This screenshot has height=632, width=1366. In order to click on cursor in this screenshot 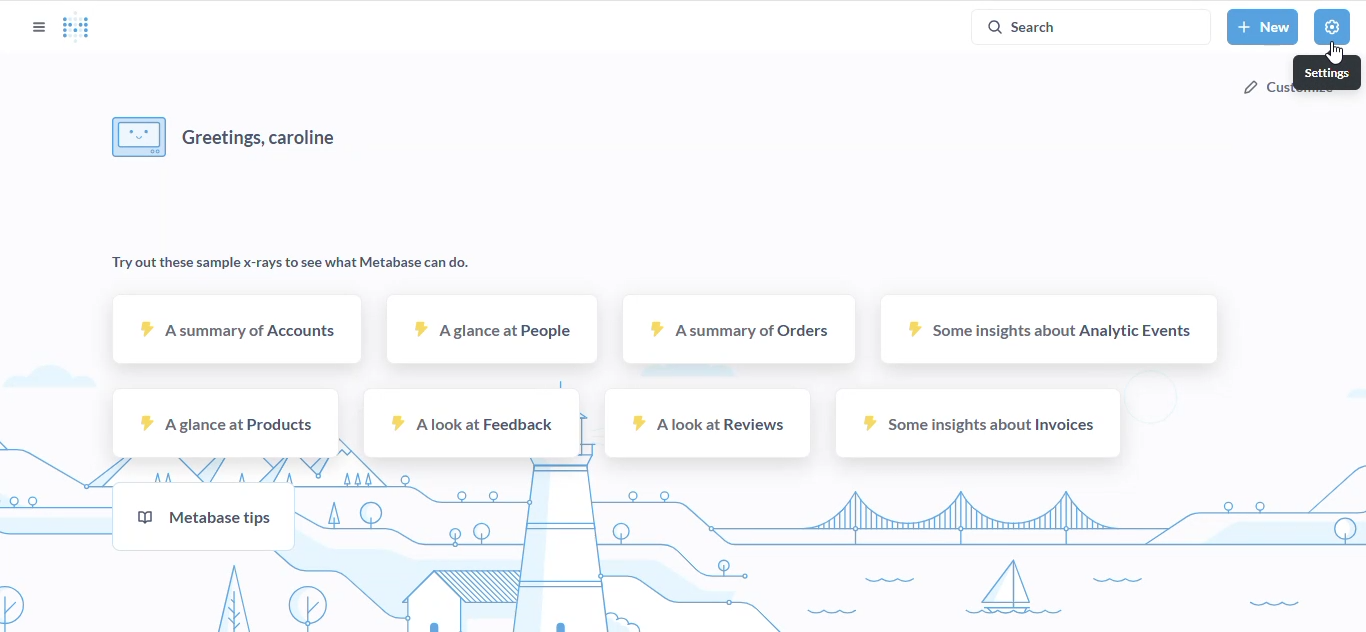, I will do `click(1334, 53)`.